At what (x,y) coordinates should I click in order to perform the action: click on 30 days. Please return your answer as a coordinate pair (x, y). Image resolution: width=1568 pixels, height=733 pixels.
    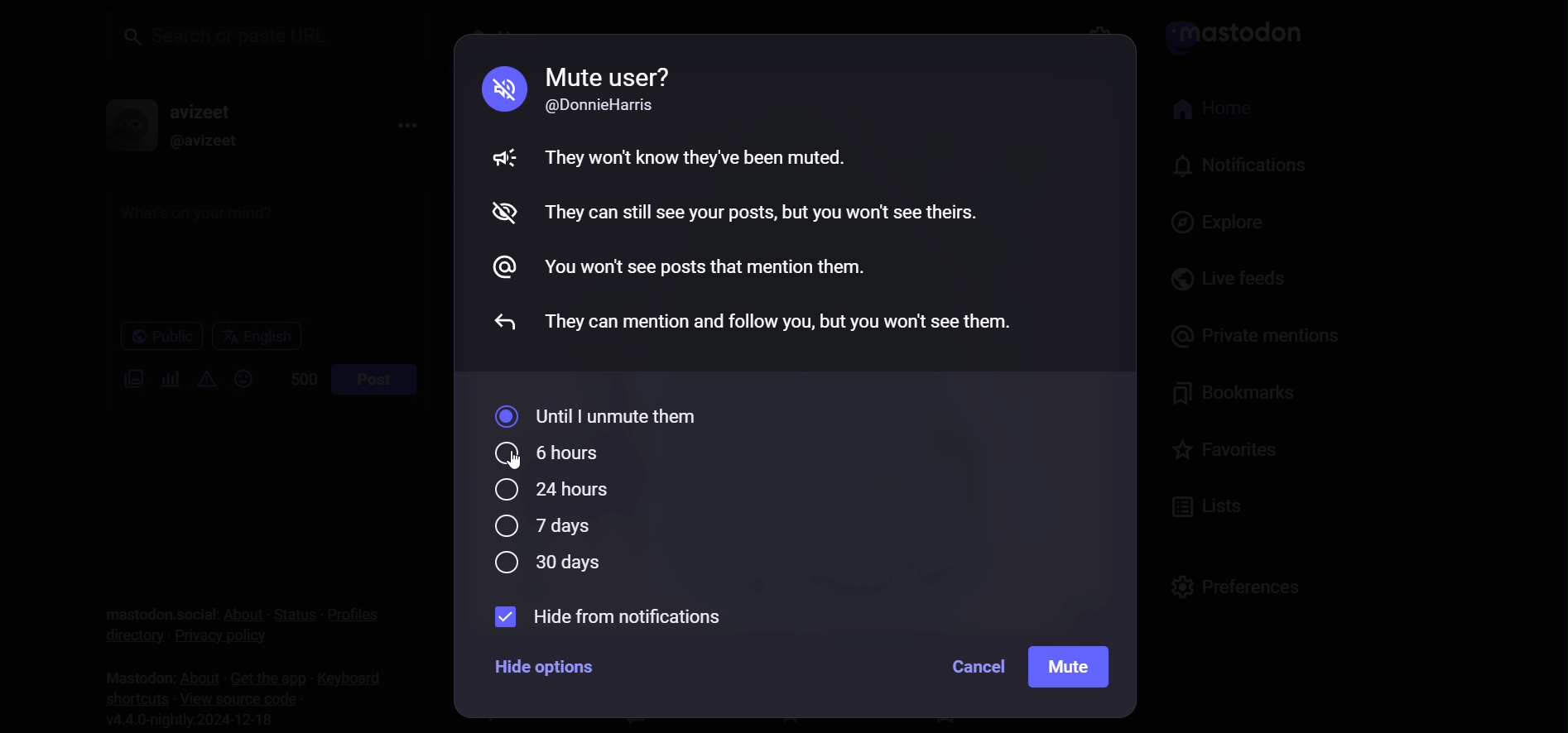
    Looking at the image, I should click on (554, 564).